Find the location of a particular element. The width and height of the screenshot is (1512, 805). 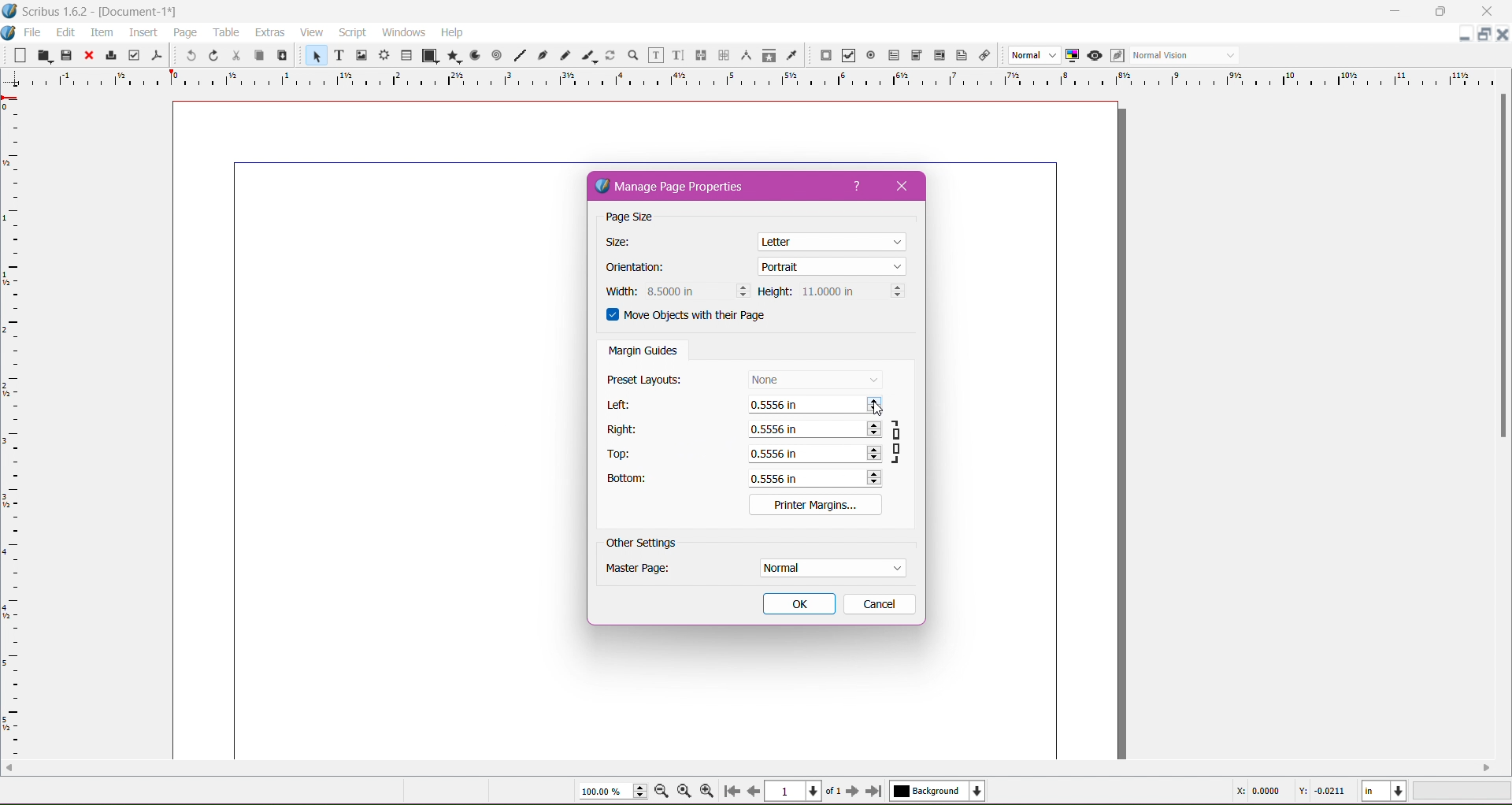

Open is located at coordinates (42, 55).